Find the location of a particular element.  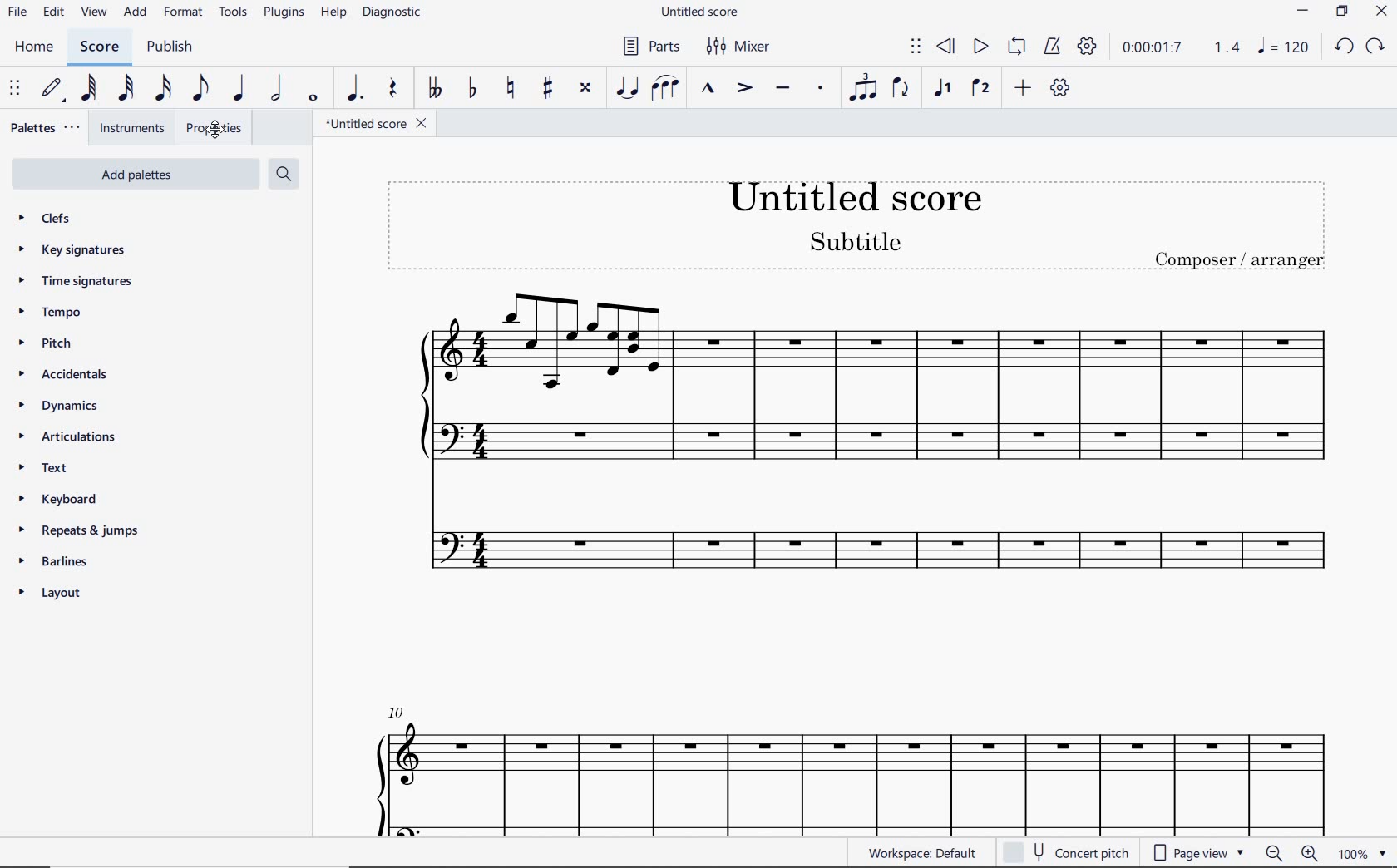

32ND NOTE is located at coordinates (129, 88).